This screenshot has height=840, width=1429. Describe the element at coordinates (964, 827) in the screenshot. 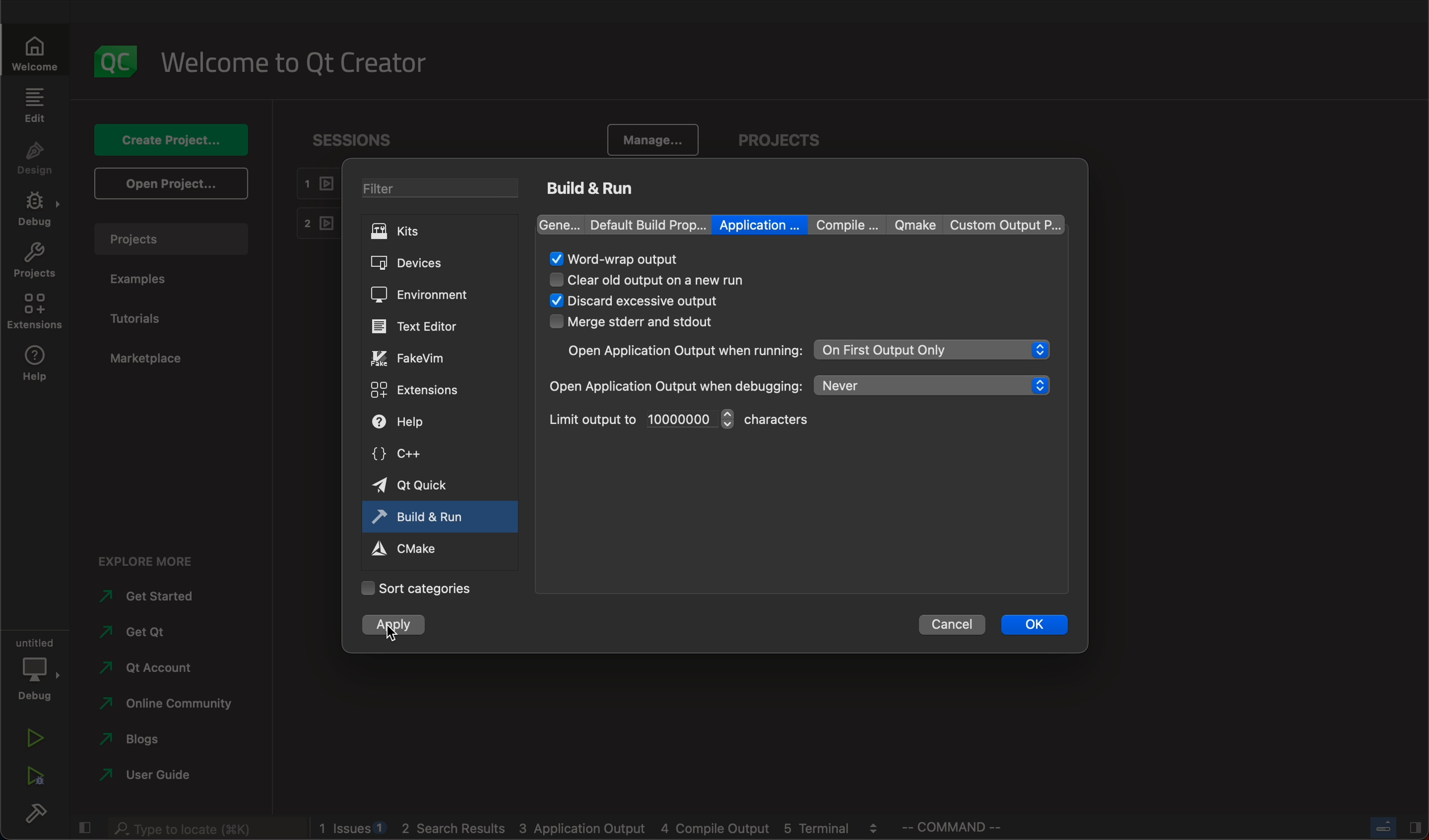

I see `command` at that location.